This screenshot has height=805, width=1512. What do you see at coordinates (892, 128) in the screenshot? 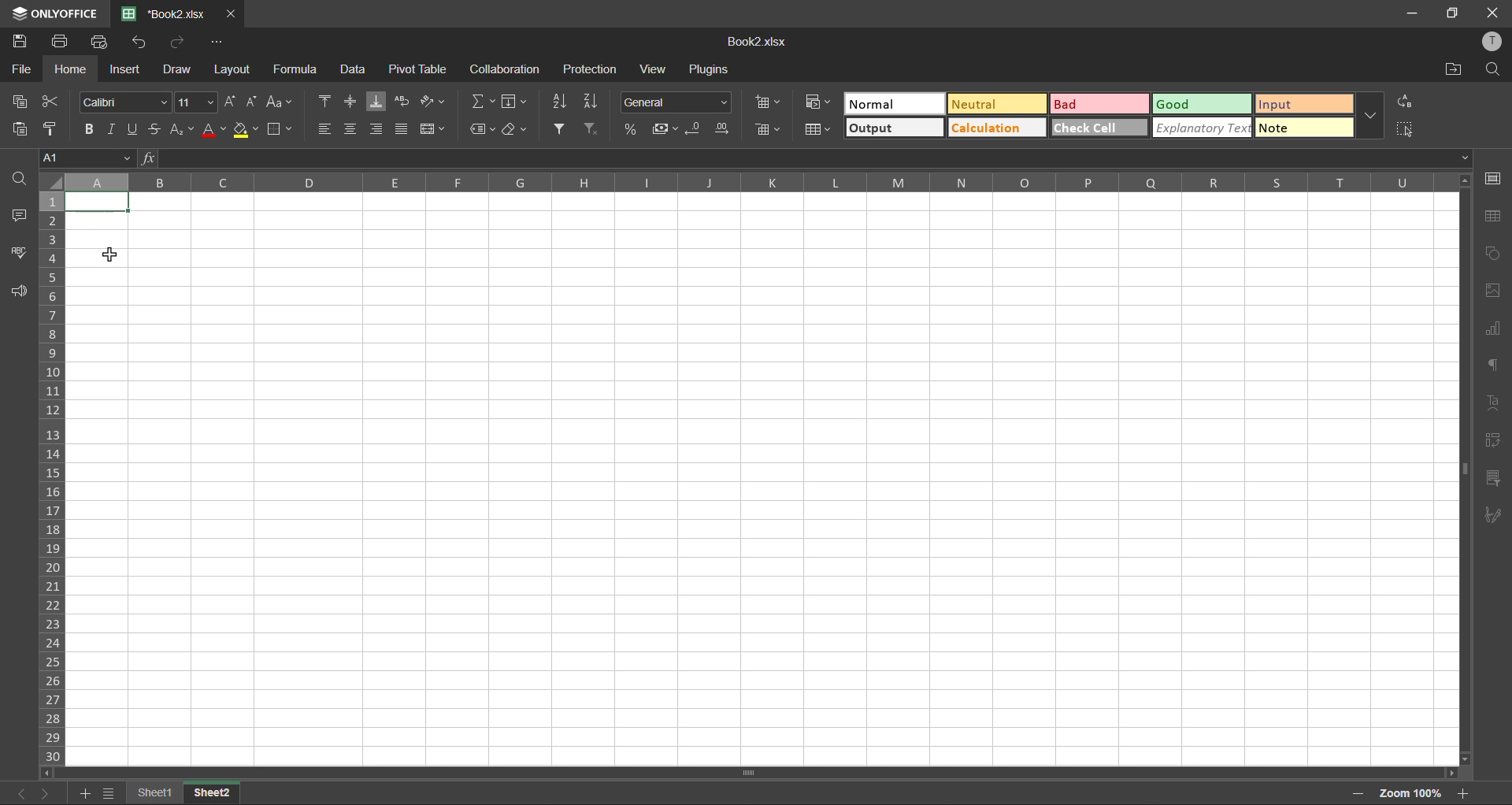
I see `output` at bounding box center [892, 128].